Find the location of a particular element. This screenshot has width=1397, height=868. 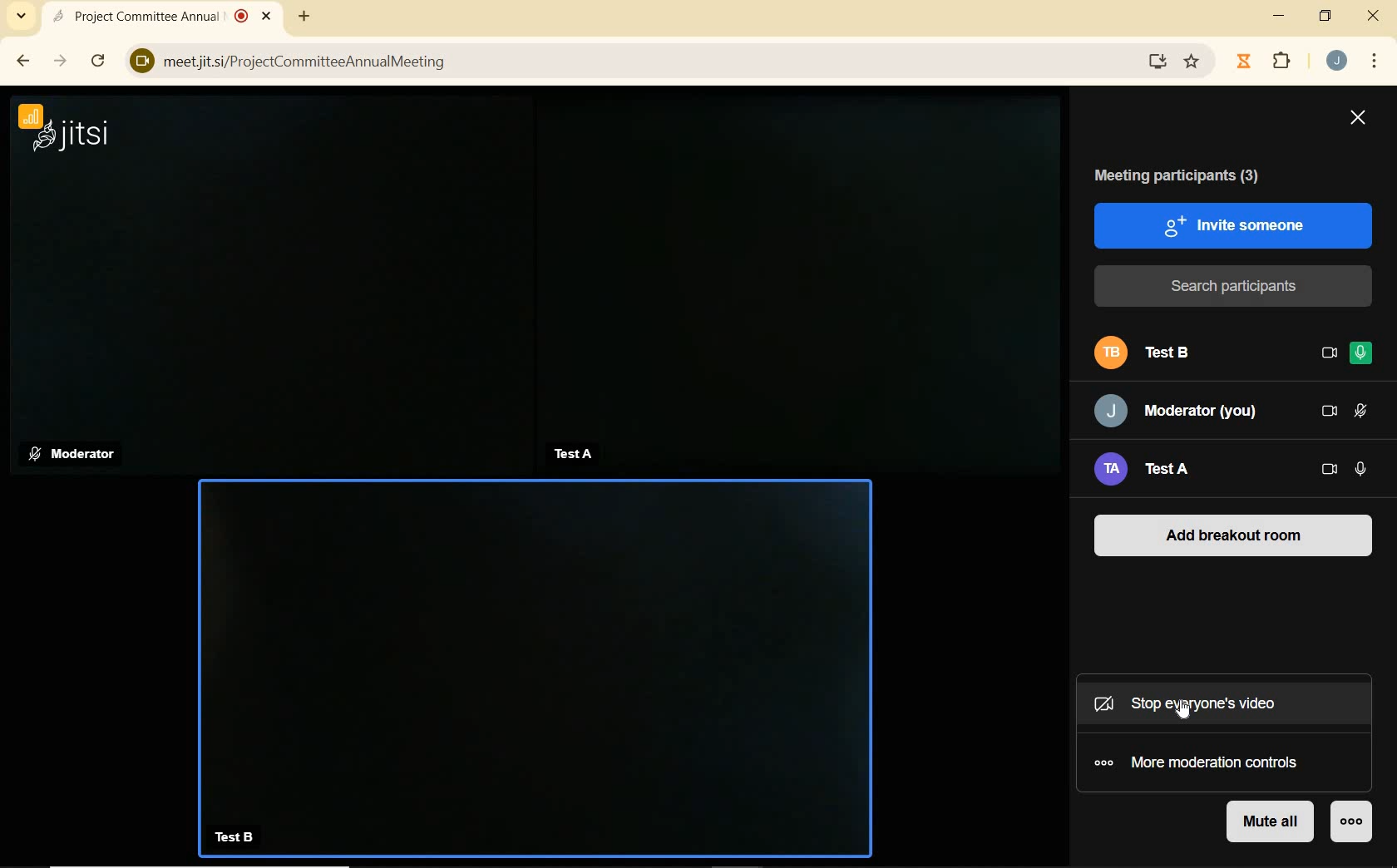

MORE MODERATION CONTROLS is located at coordinates (1230, 765).